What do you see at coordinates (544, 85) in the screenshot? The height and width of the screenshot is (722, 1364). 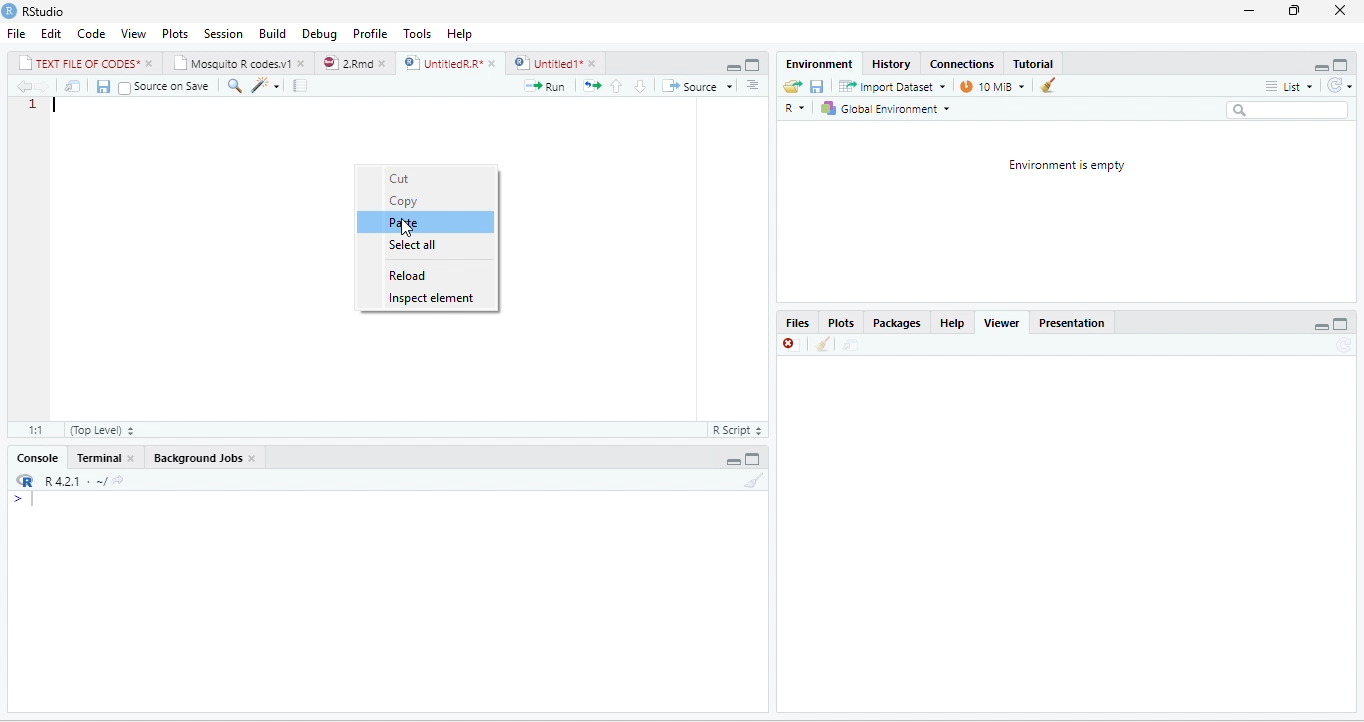 I see `run the current line or selection` at bounding box center [544, 85].